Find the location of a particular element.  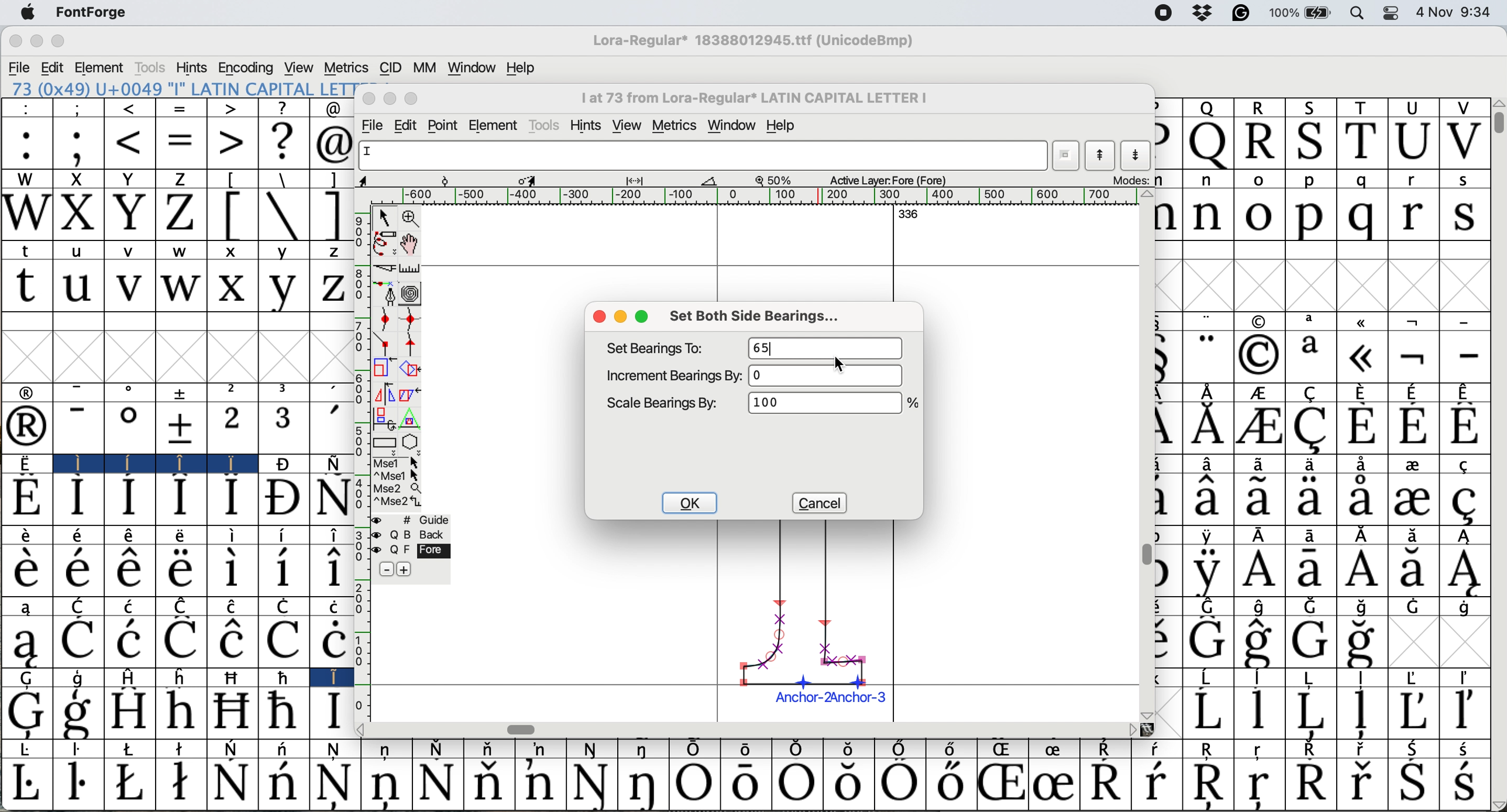

 is located at coordinates (634, 178).